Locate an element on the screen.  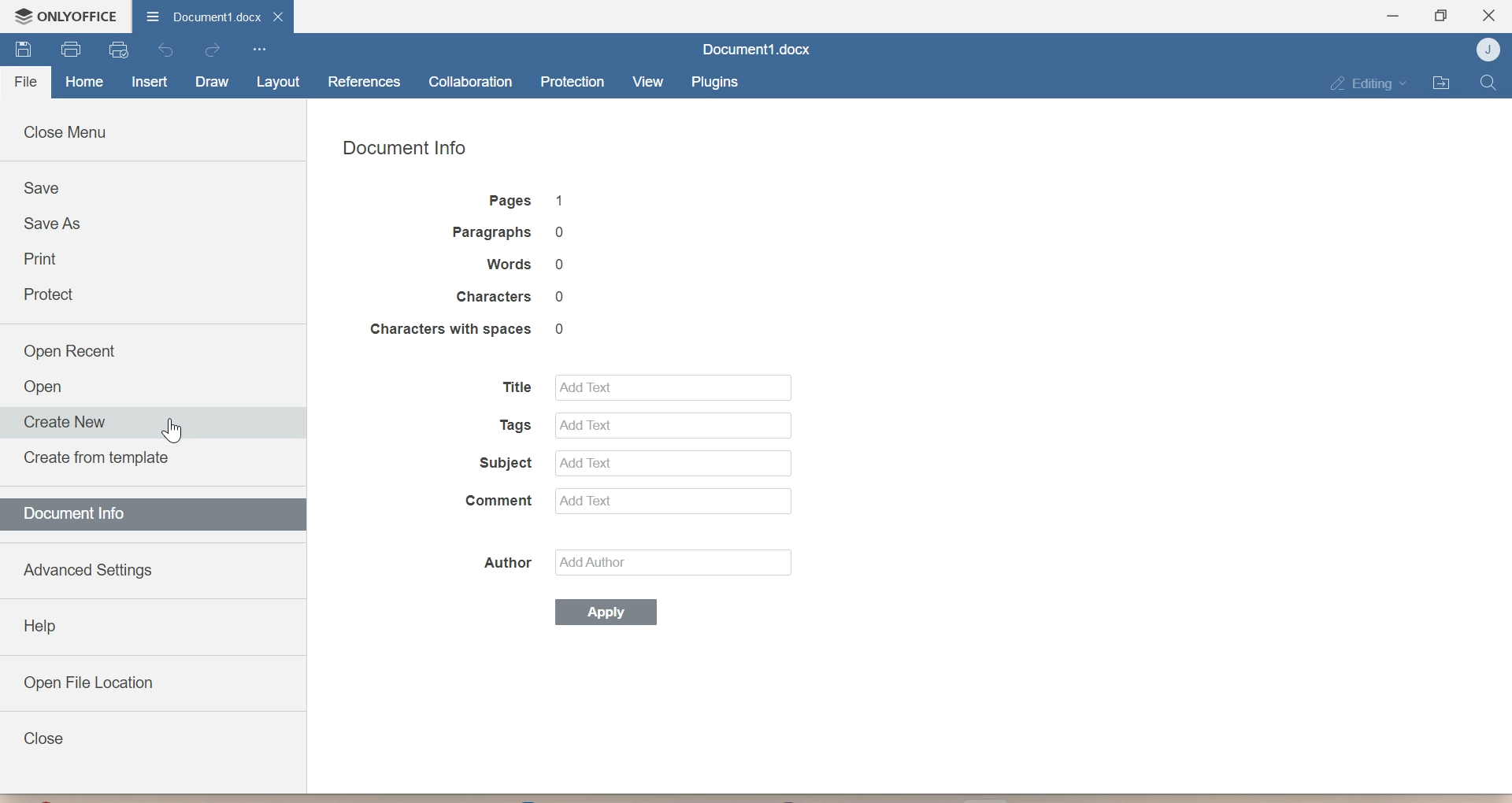
Tags is located at coordinates (513, 425).